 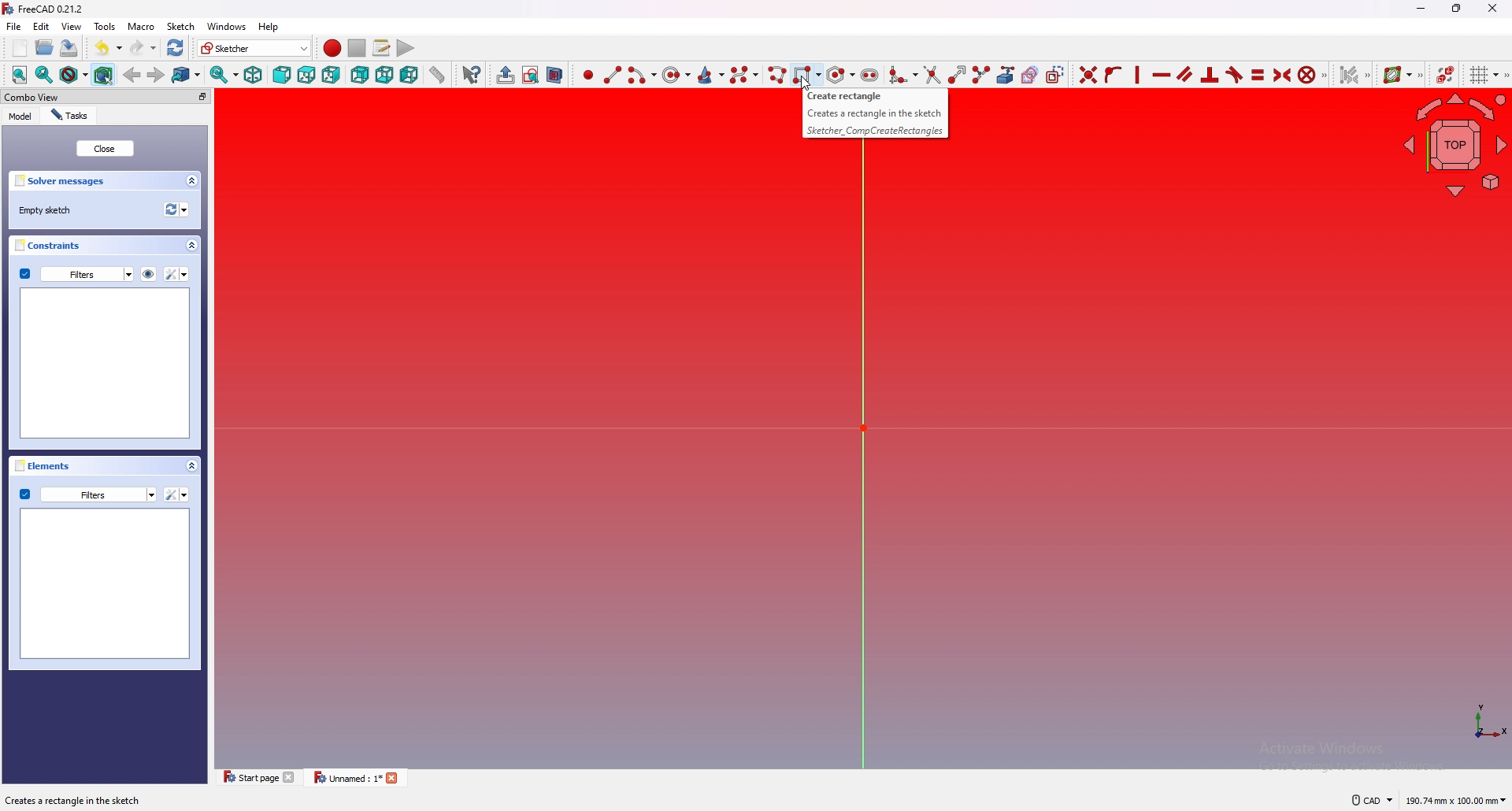 I want to click on right, so click(x=331, y=75).